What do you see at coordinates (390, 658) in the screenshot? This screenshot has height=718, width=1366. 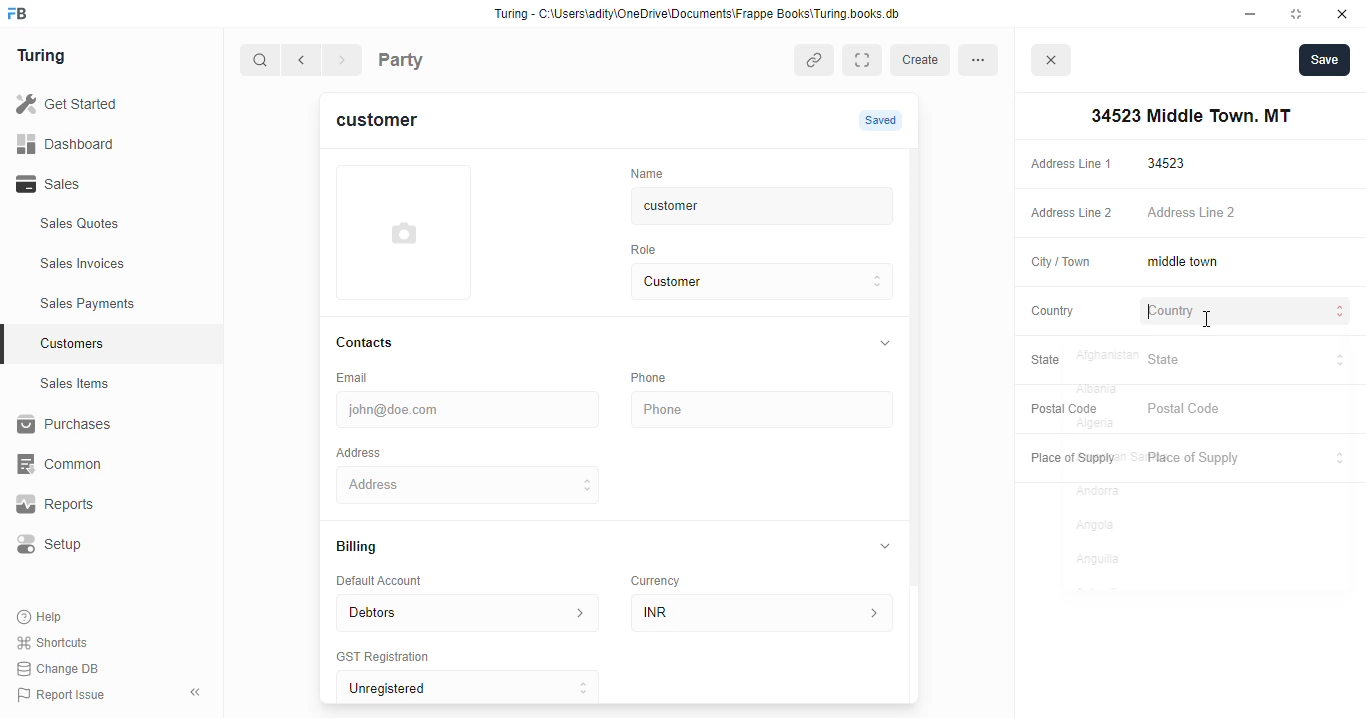 I see `‘GST Registration` at bounding box center [390, 658].